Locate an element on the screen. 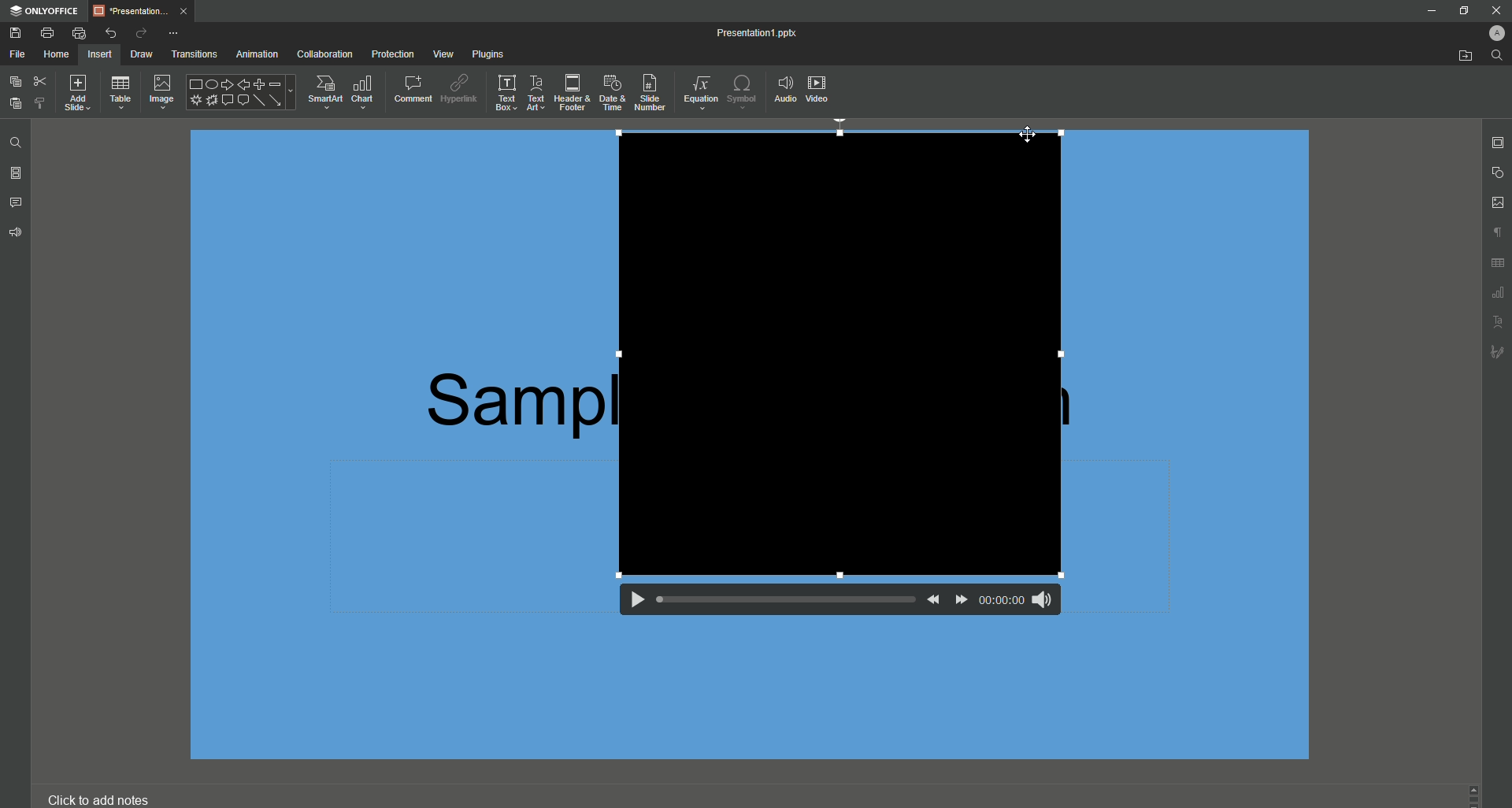 Image resolution: width=1512 pixels, height=808 pixels. Comments is located at coordinates (17, 203).